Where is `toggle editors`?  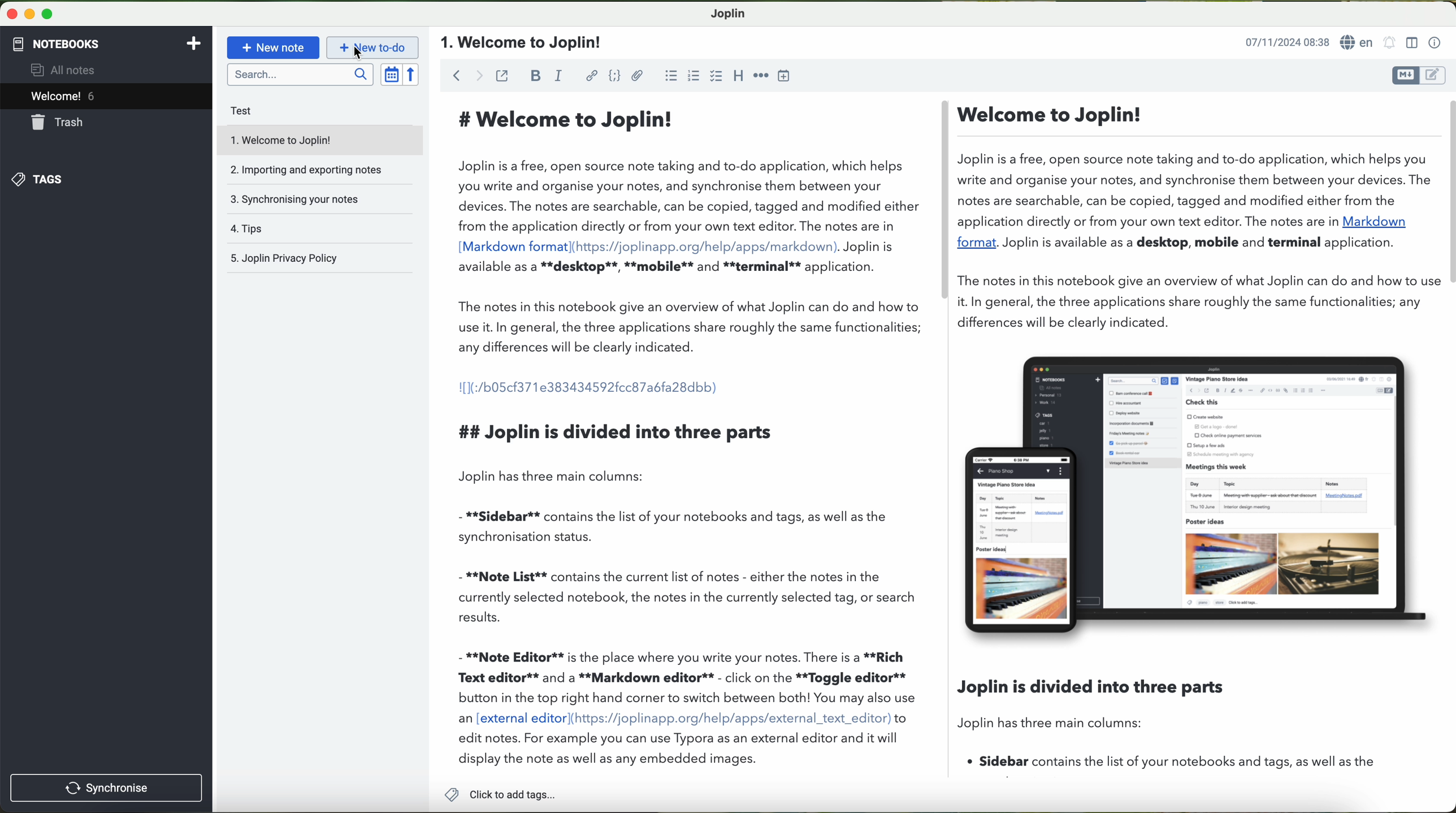
toggle editors is located at coordinates (1420, 76).